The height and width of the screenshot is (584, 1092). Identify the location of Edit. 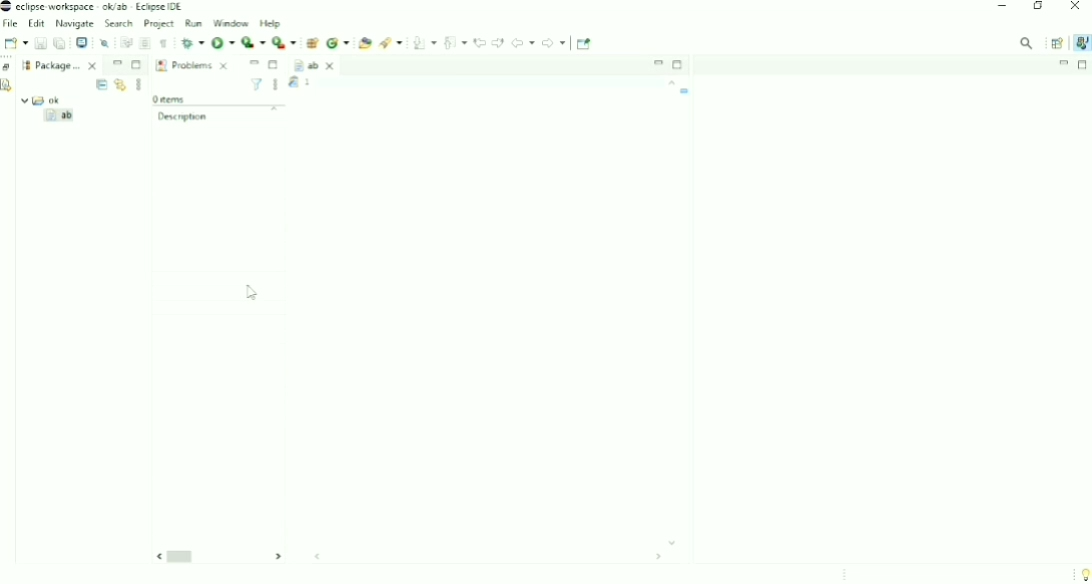
(38, 23).